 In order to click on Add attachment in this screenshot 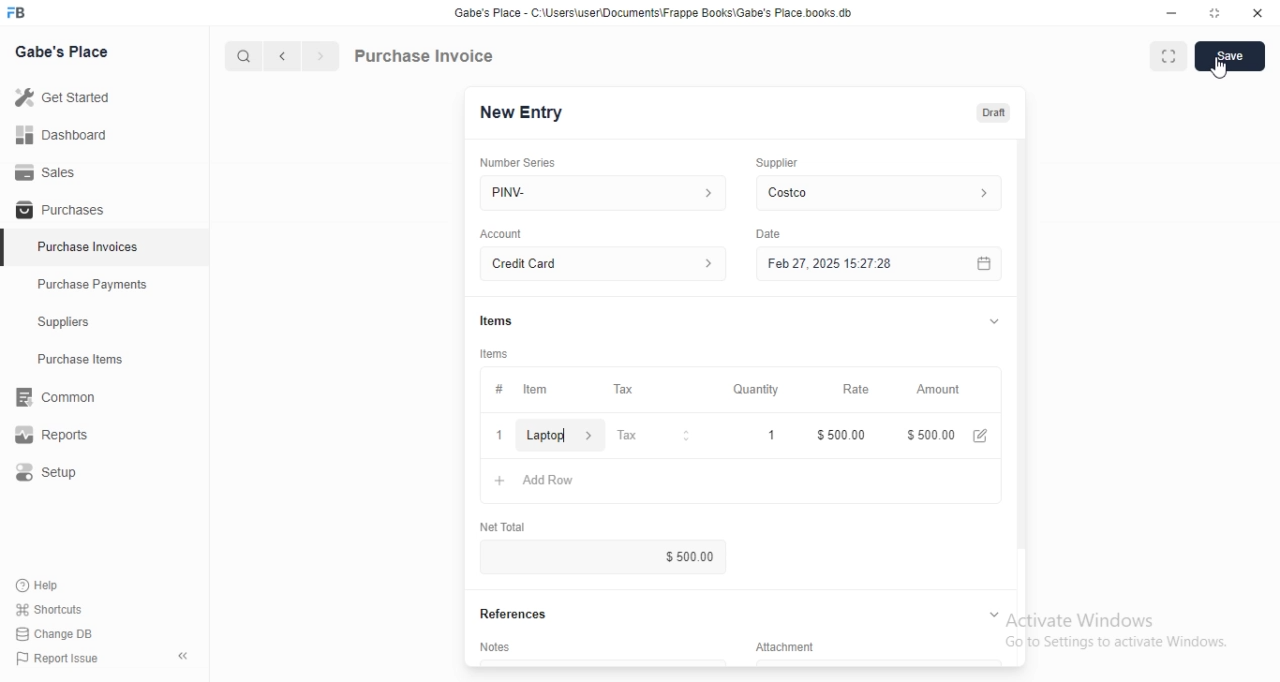, I will do `click(879, 662)`.